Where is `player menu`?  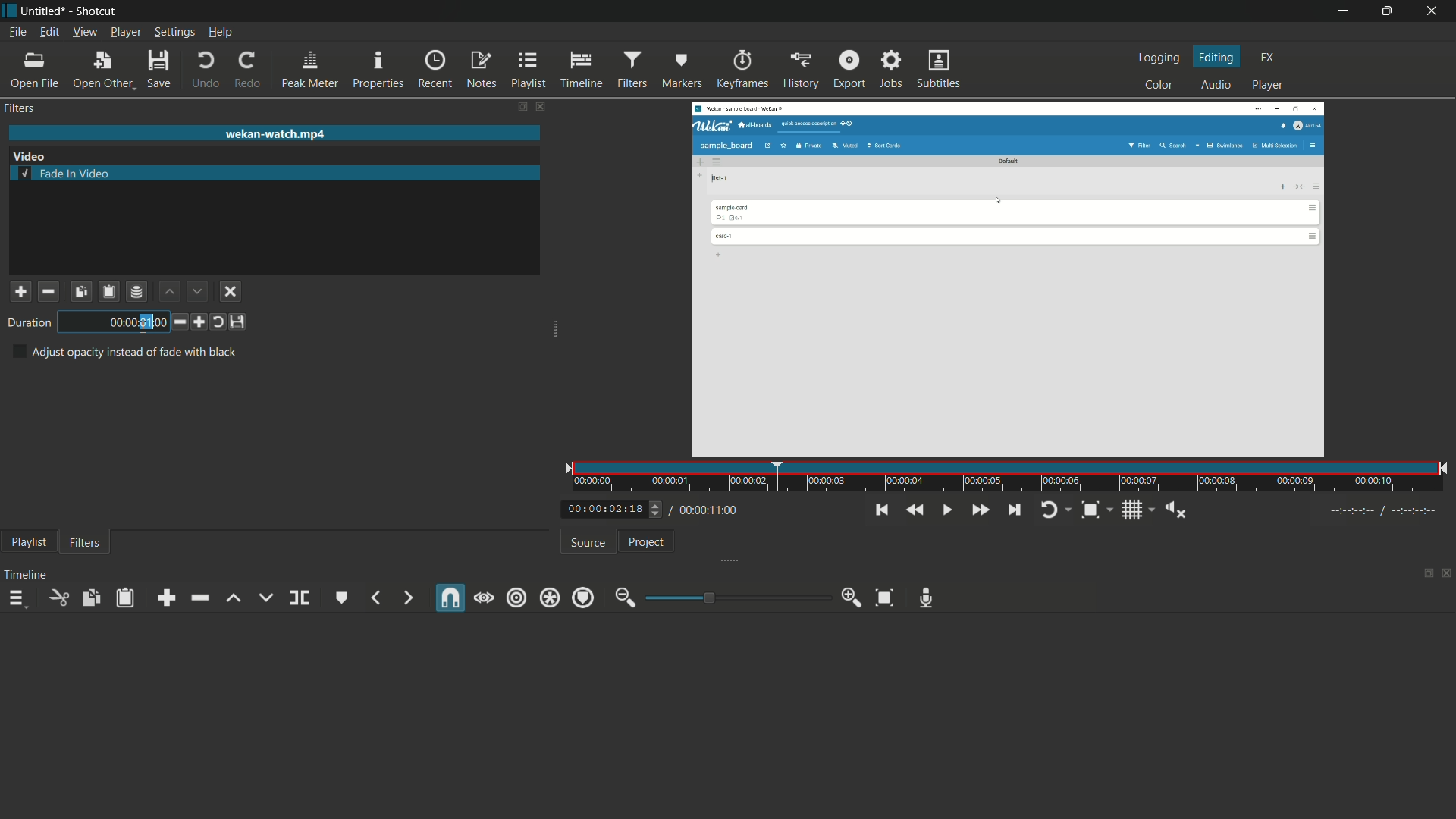
player menu is located at coordinates (127, 32).